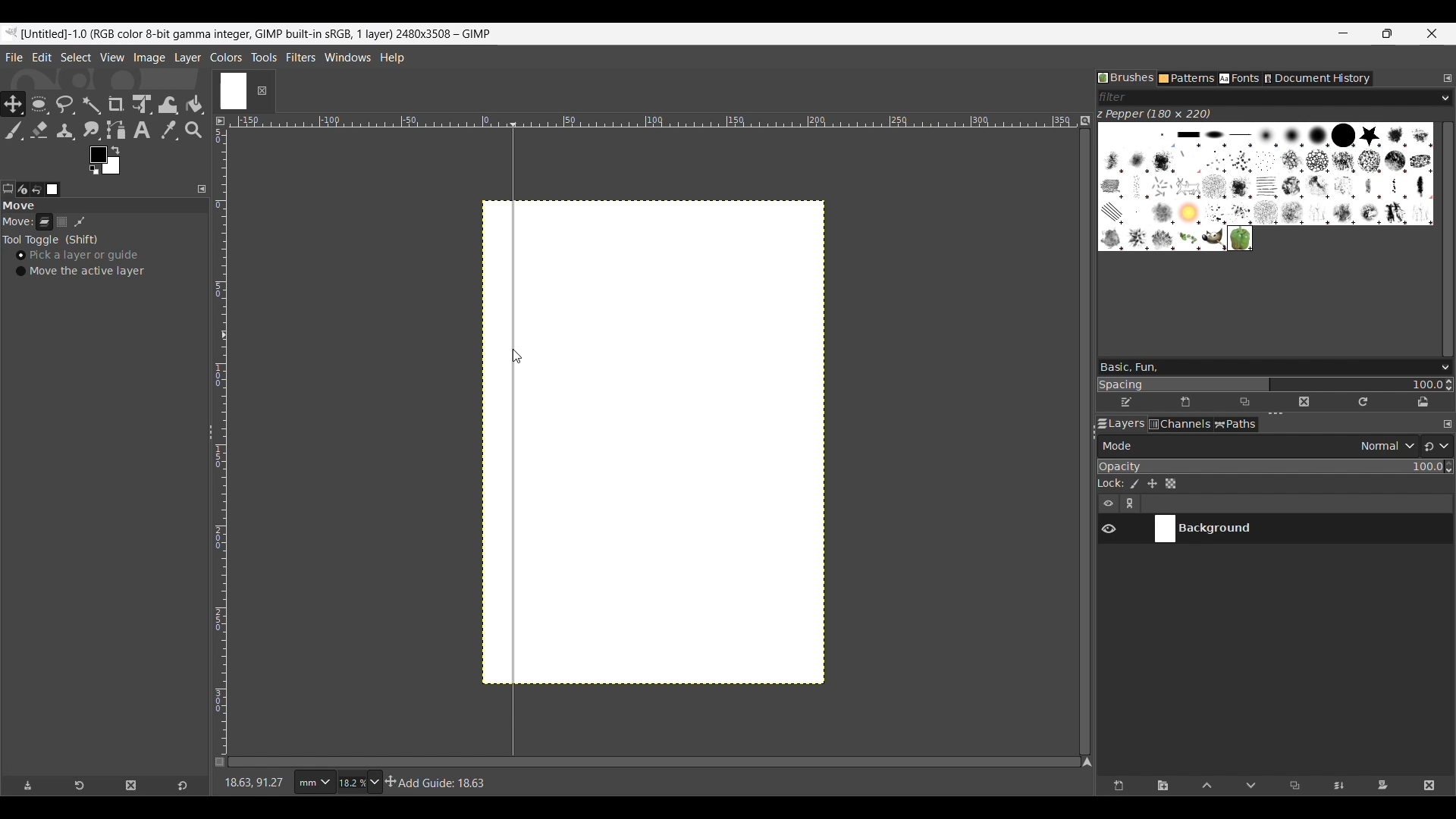 Image resolution: width=1456 pixels, height=819 pixels. What do you see at coordinates (182, 786) in the screenshot?
I see `Reset to default values` at bounding box center [182, 786].